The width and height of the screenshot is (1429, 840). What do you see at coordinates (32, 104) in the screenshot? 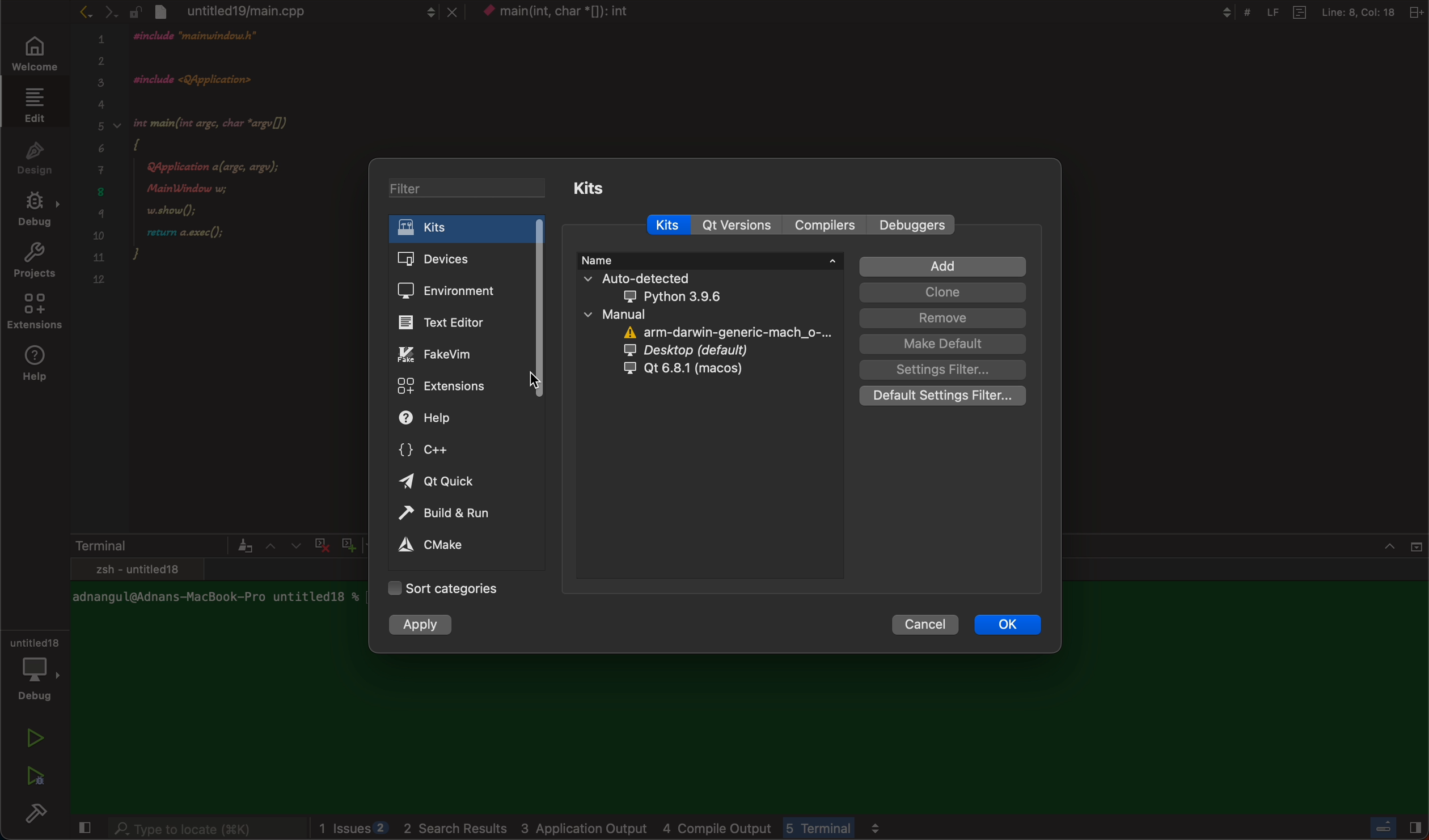
I see `edit` at bounding box center [32, 104].